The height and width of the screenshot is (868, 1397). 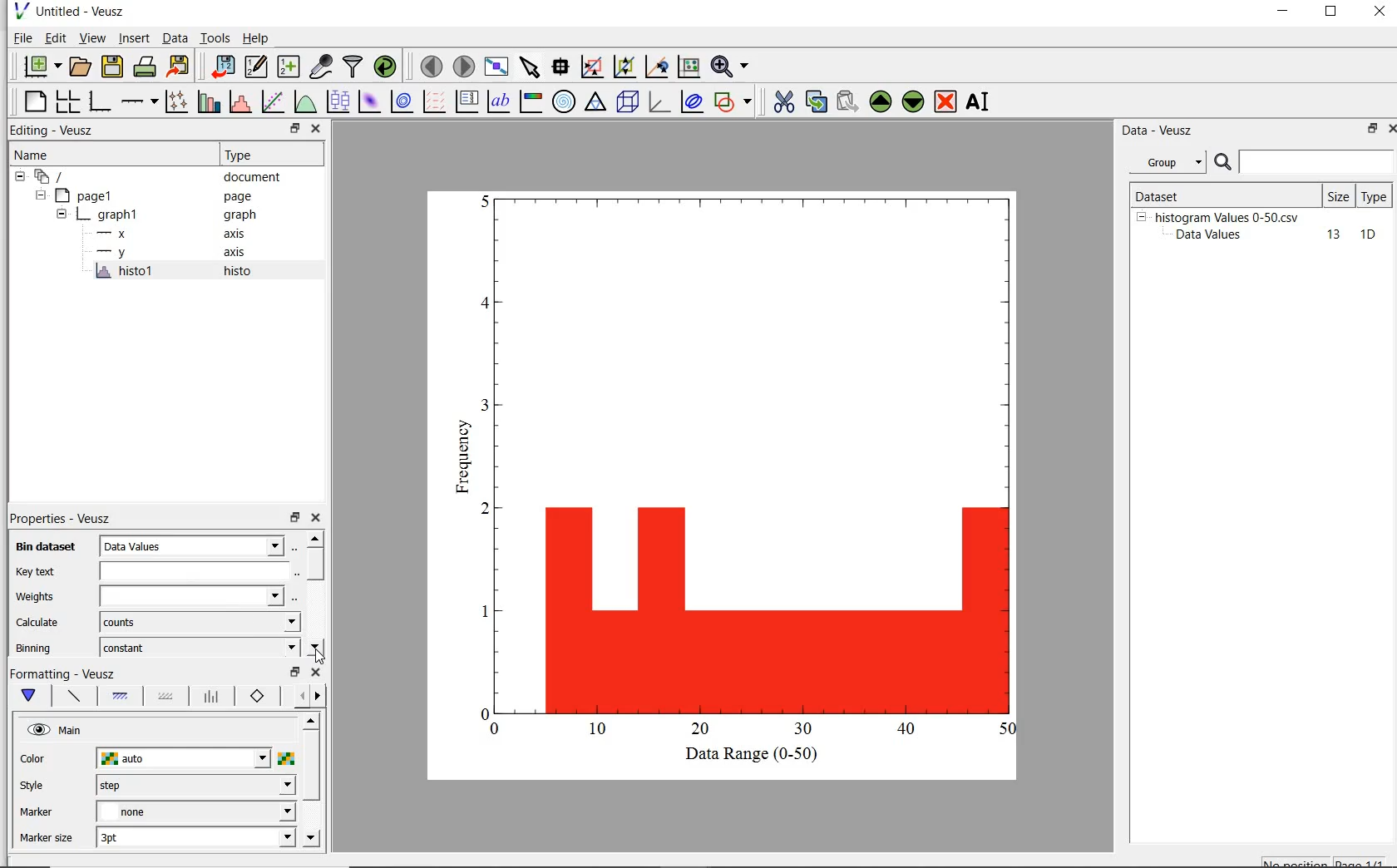 I want to click on move to previous page, so click(x=431, y=67).